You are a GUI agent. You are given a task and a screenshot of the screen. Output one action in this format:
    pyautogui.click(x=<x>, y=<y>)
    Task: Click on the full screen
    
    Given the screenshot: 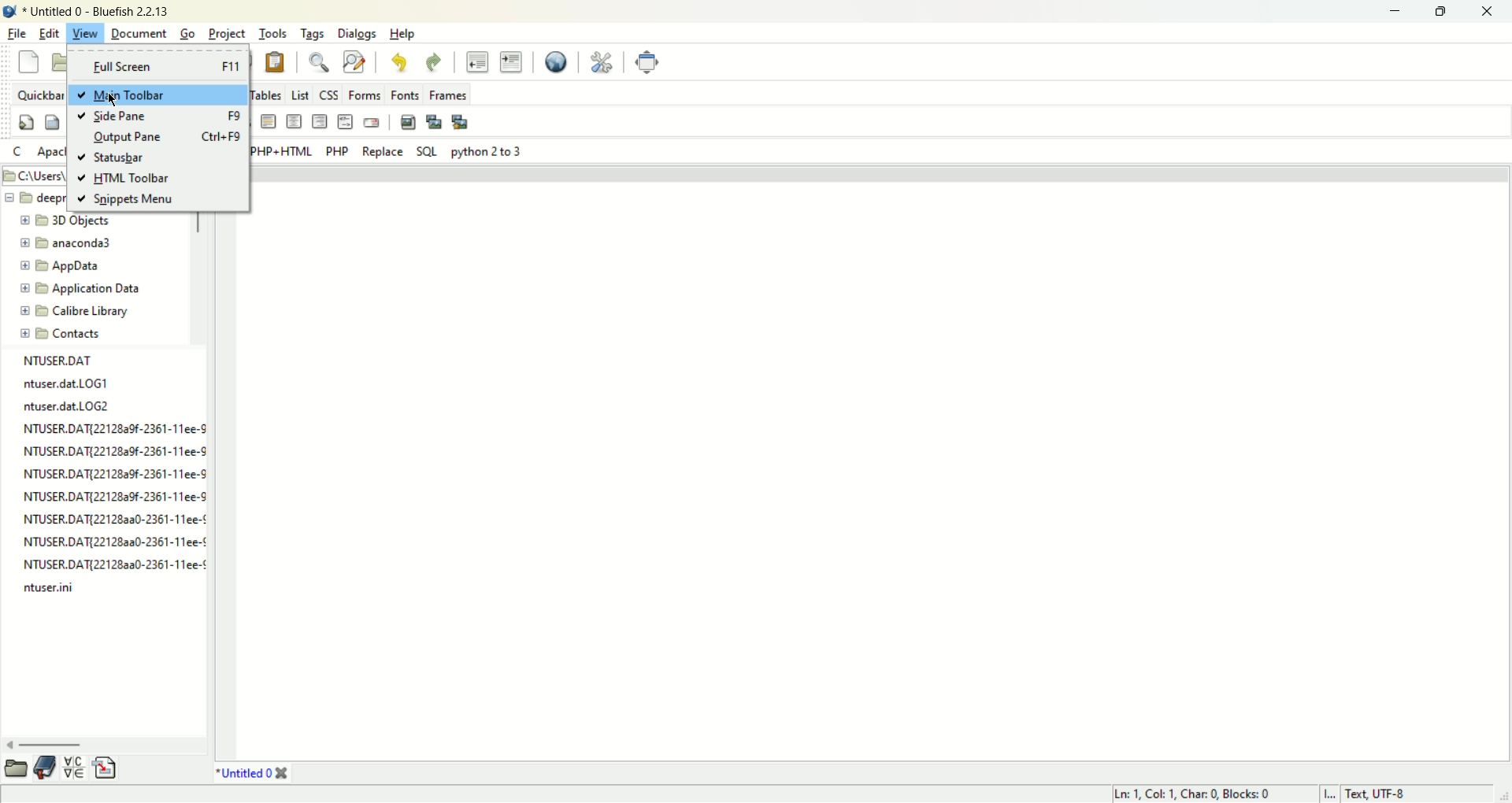 What is the action you would take?
    pyautogui.click(x=159, y=65)
    